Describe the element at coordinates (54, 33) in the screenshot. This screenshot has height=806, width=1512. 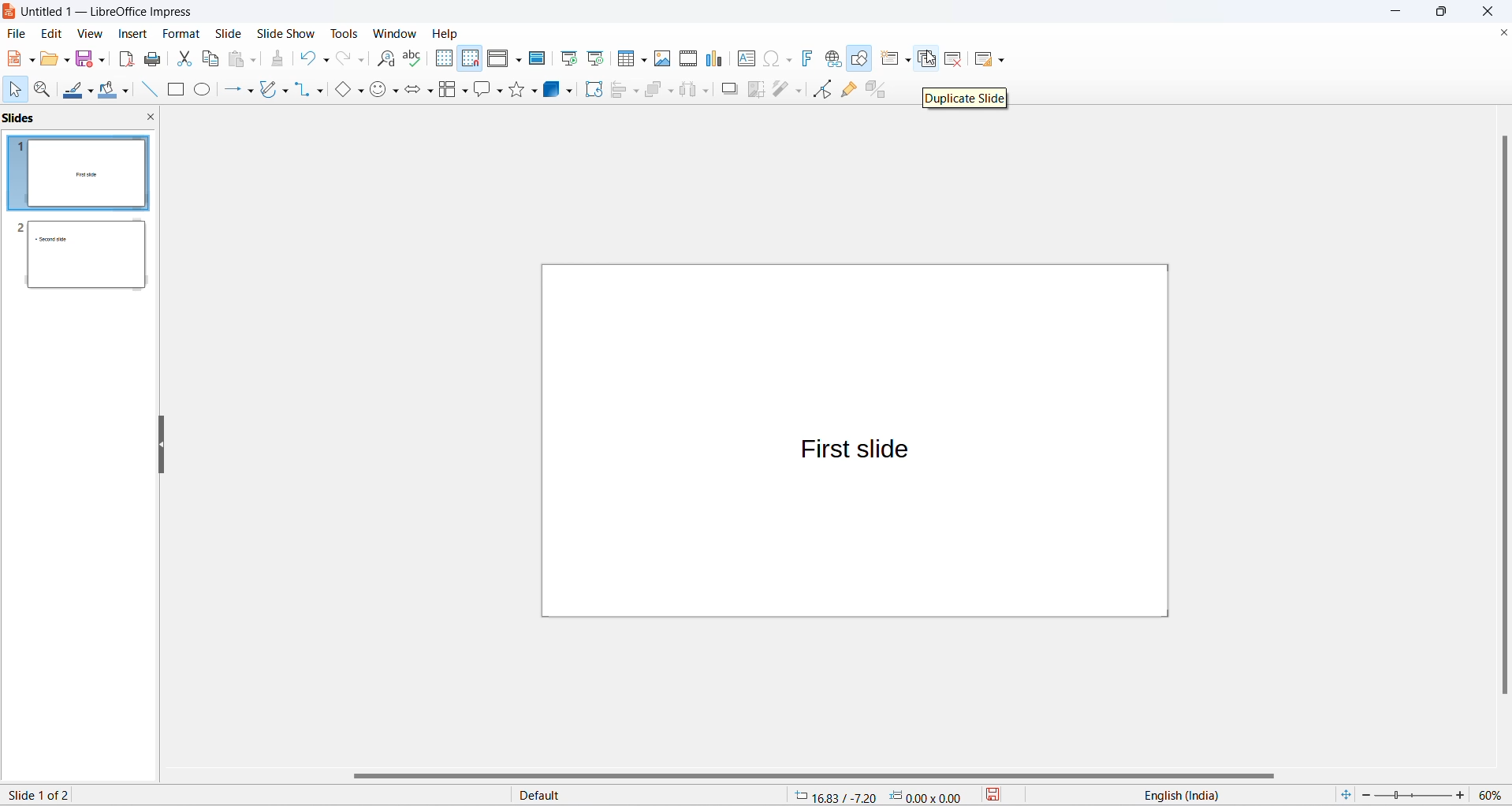
I see `edit` at that location.